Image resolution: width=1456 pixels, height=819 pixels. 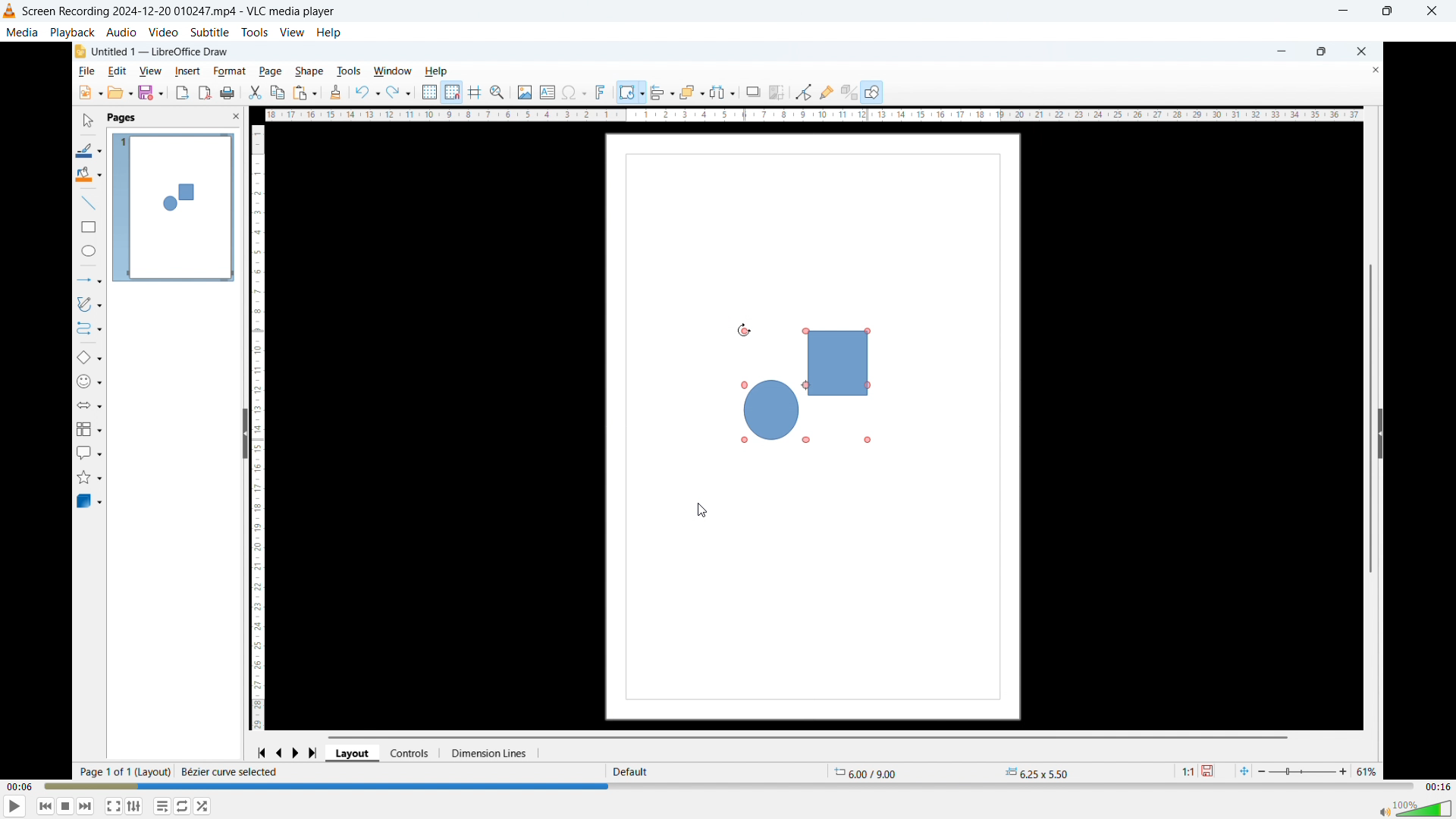 I want to click on Logo , so click(x=10, y=11).